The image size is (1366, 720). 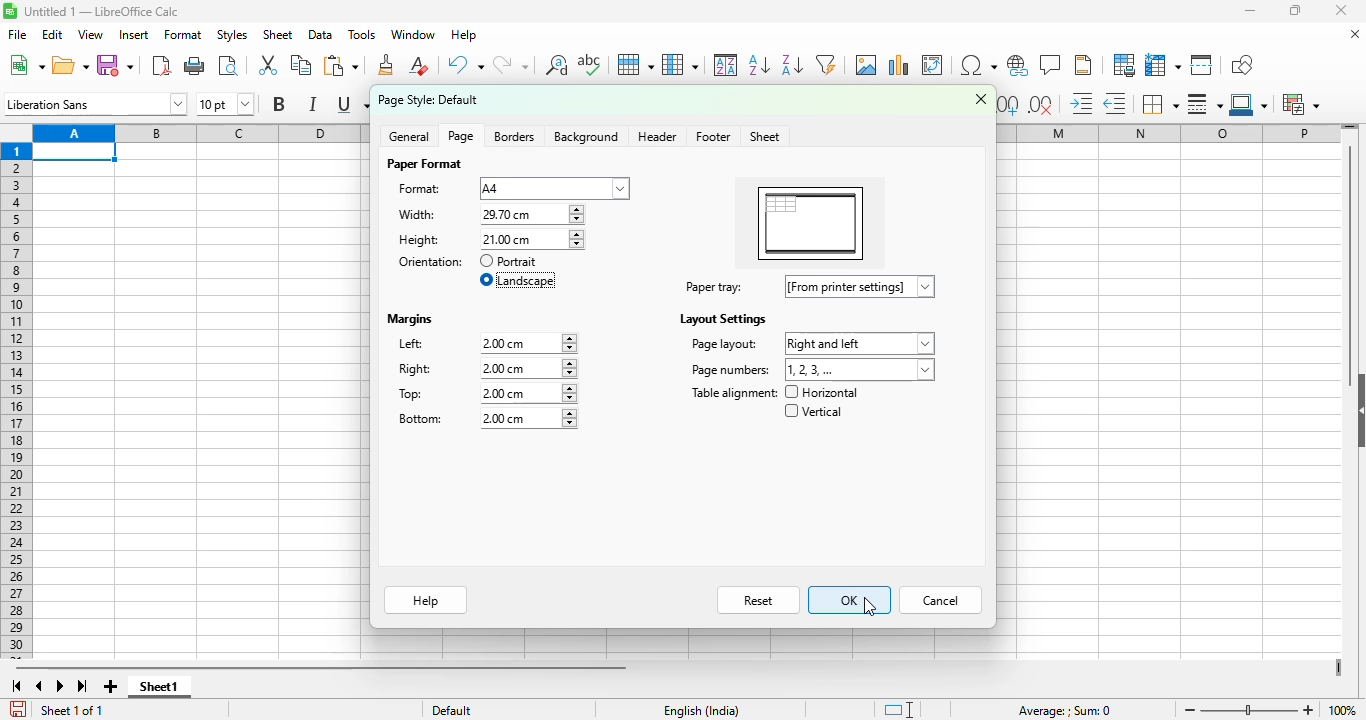 What do you see at coordinates (19, 709) in the screenshot?
I see `click to save the document` at bounding box center [19, 709].